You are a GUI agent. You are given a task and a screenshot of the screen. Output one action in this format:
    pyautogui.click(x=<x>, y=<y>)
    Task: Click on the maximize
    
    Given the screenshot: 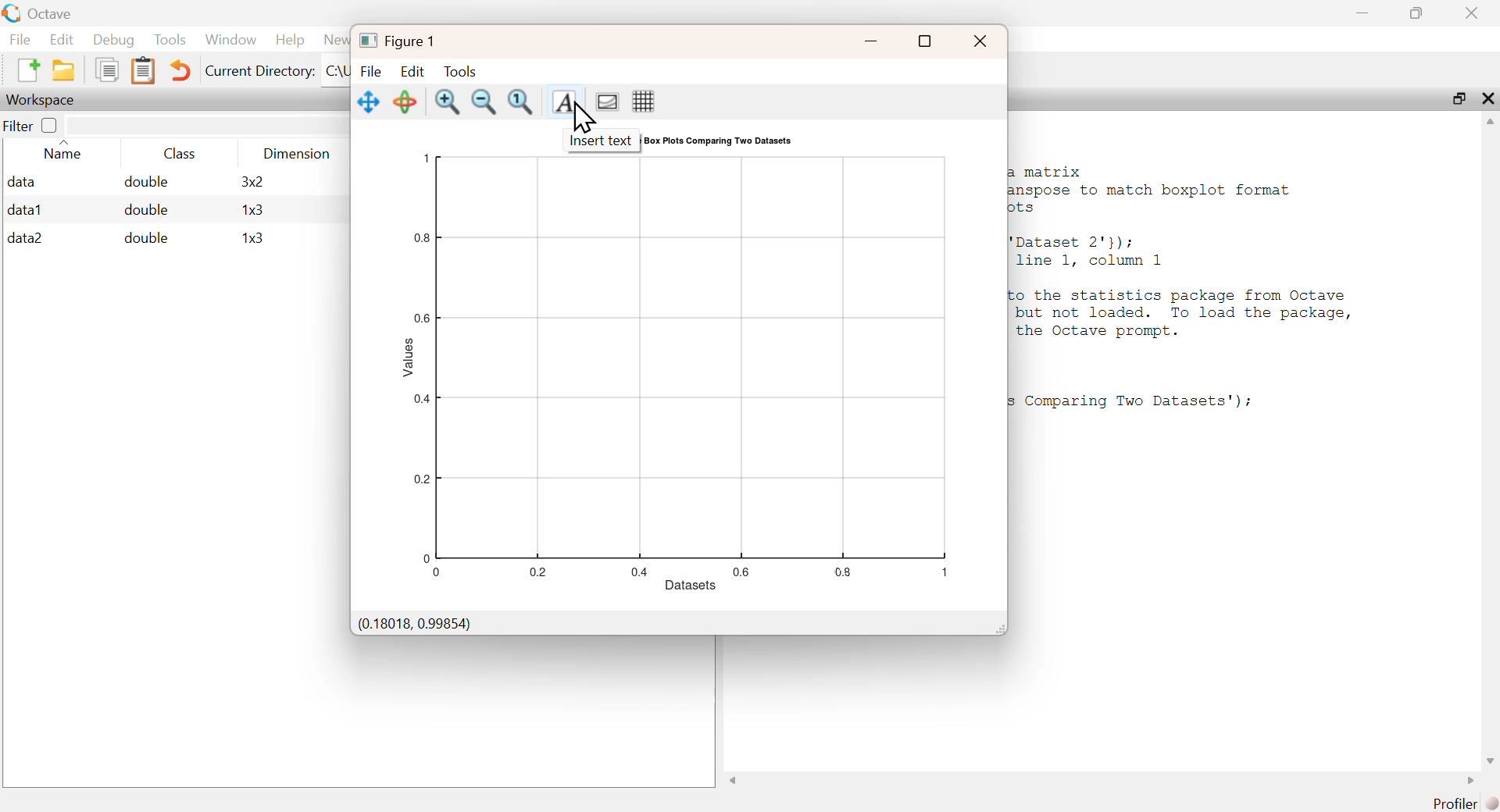 What is the action you would take?
    pyautogui.click(x=1458, y=98)
    